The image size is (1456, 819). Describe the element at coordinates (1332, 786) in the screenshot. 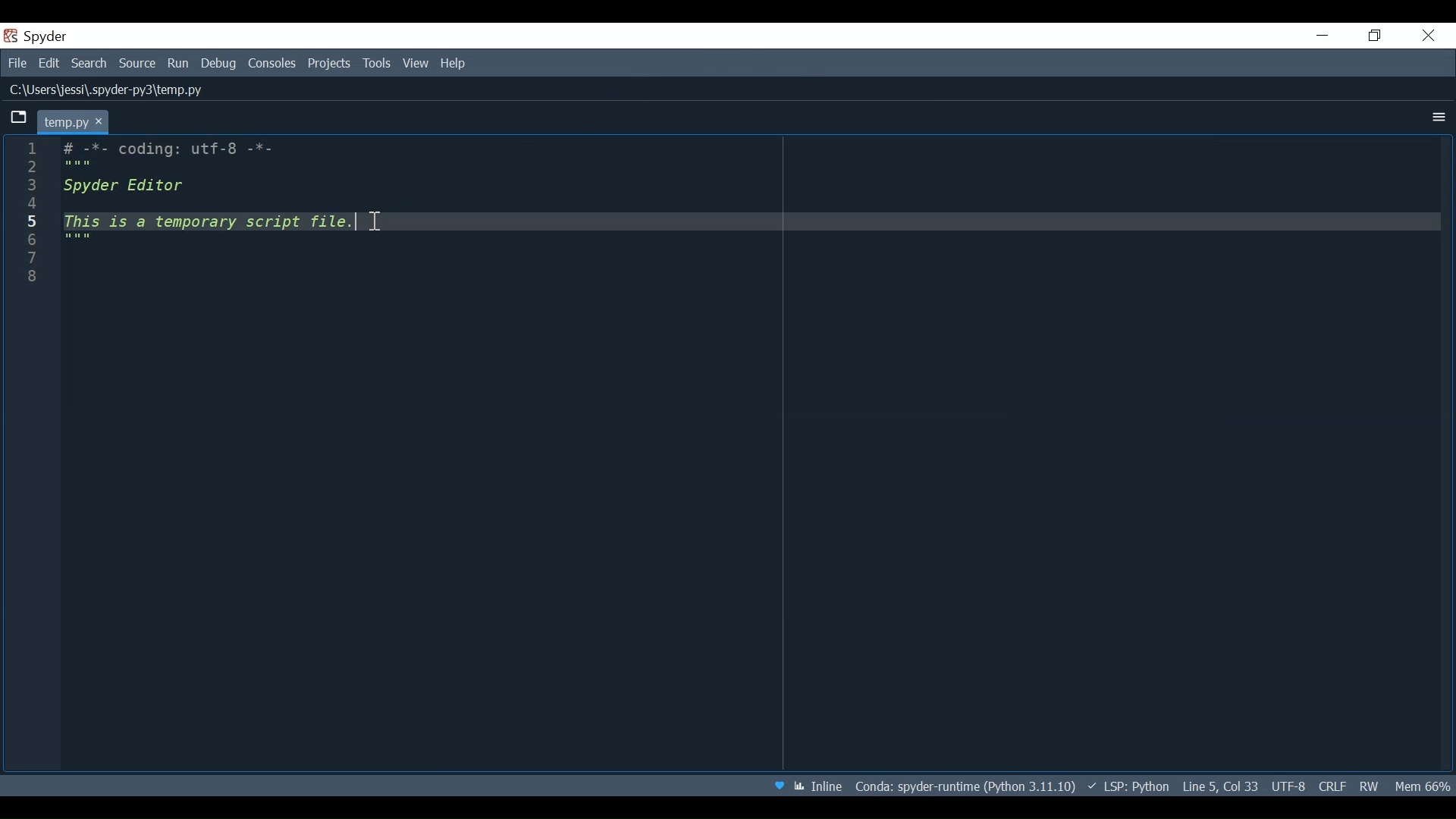

I see `File EQL Status` at that location.